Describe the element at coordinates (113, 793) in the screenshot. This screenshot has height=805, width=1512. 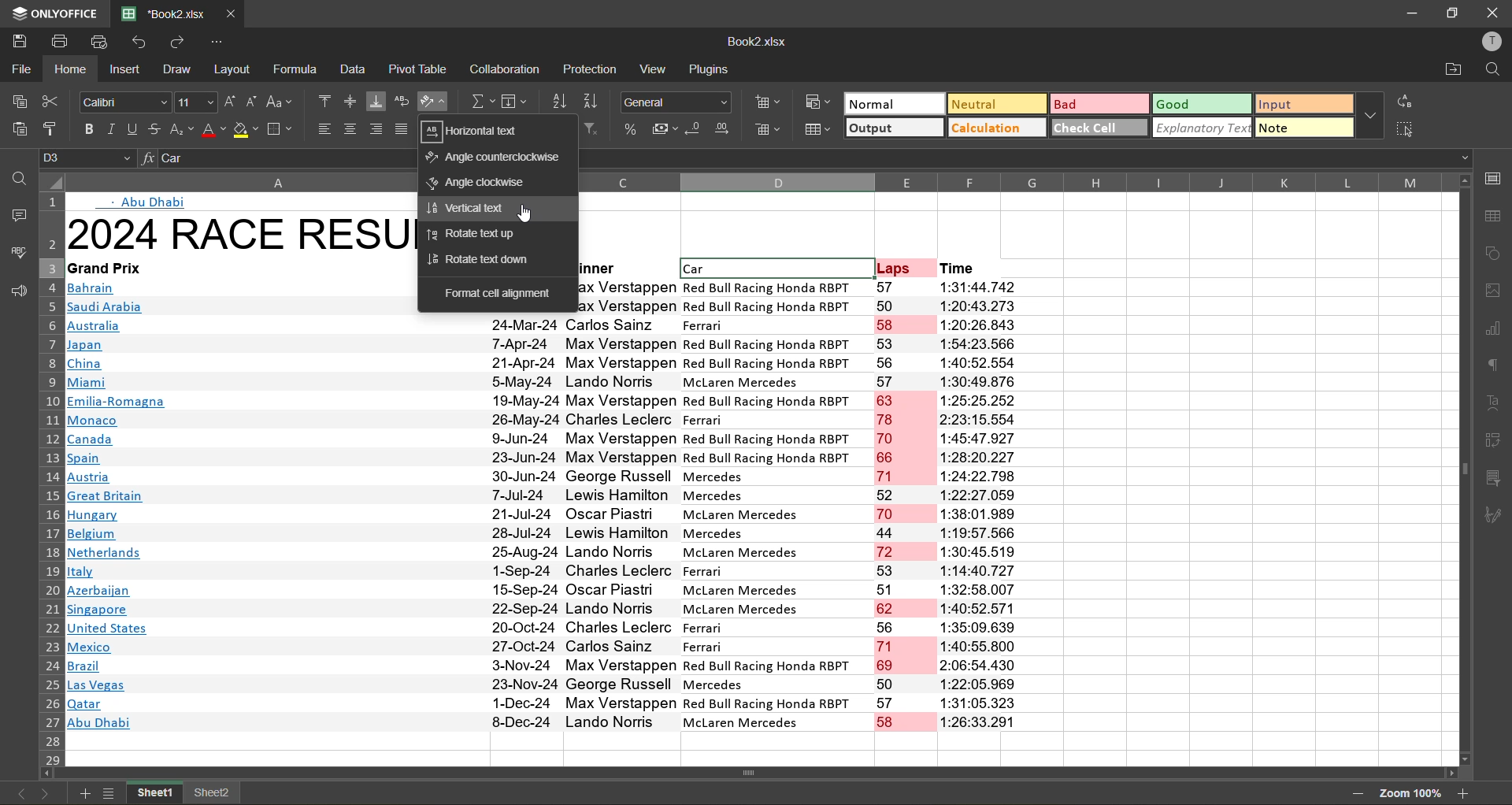
I see `sheet list` at that location.